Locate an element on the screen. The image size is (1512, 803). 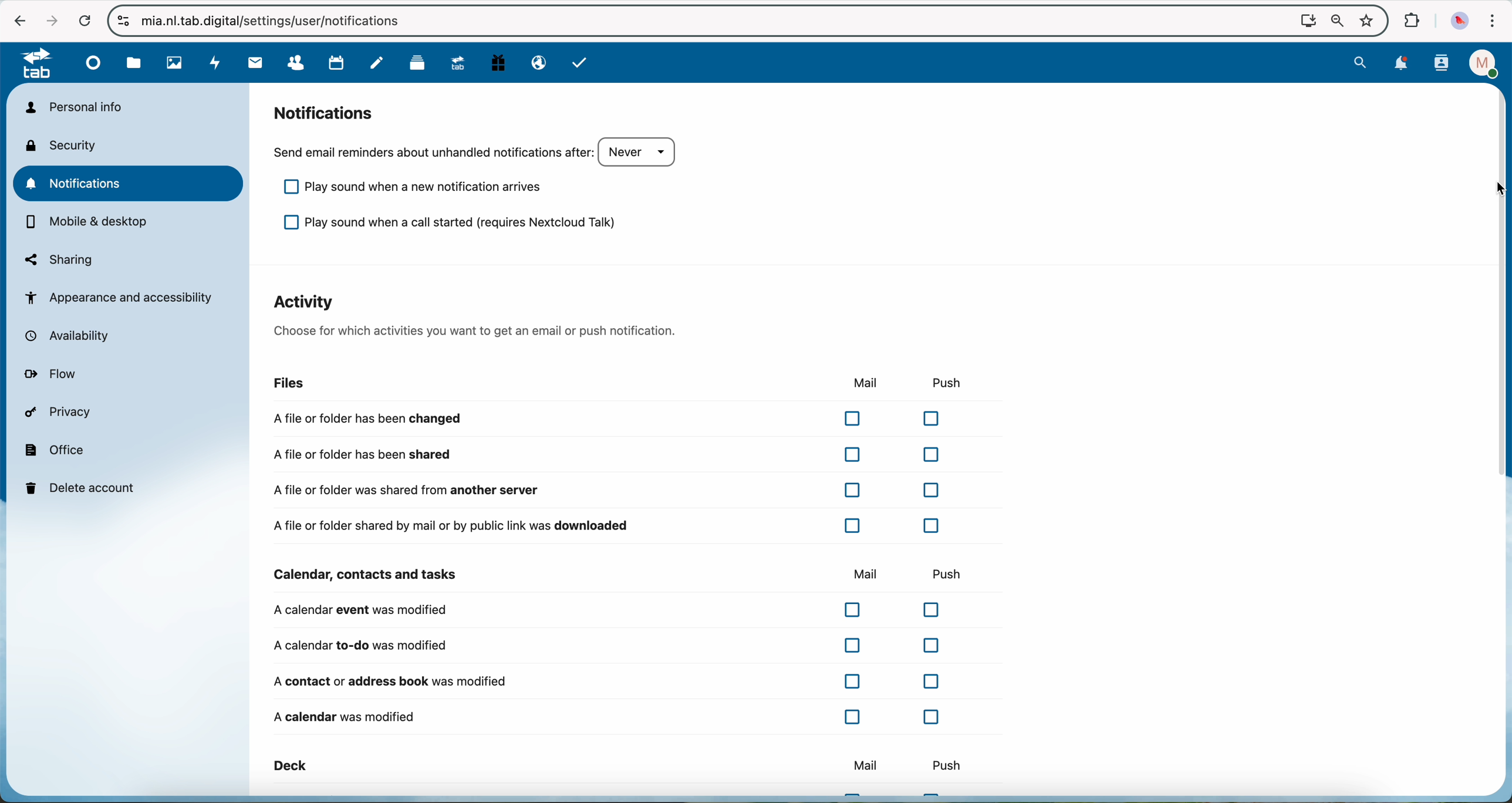
navigate back is located at coordinates (17, 20).